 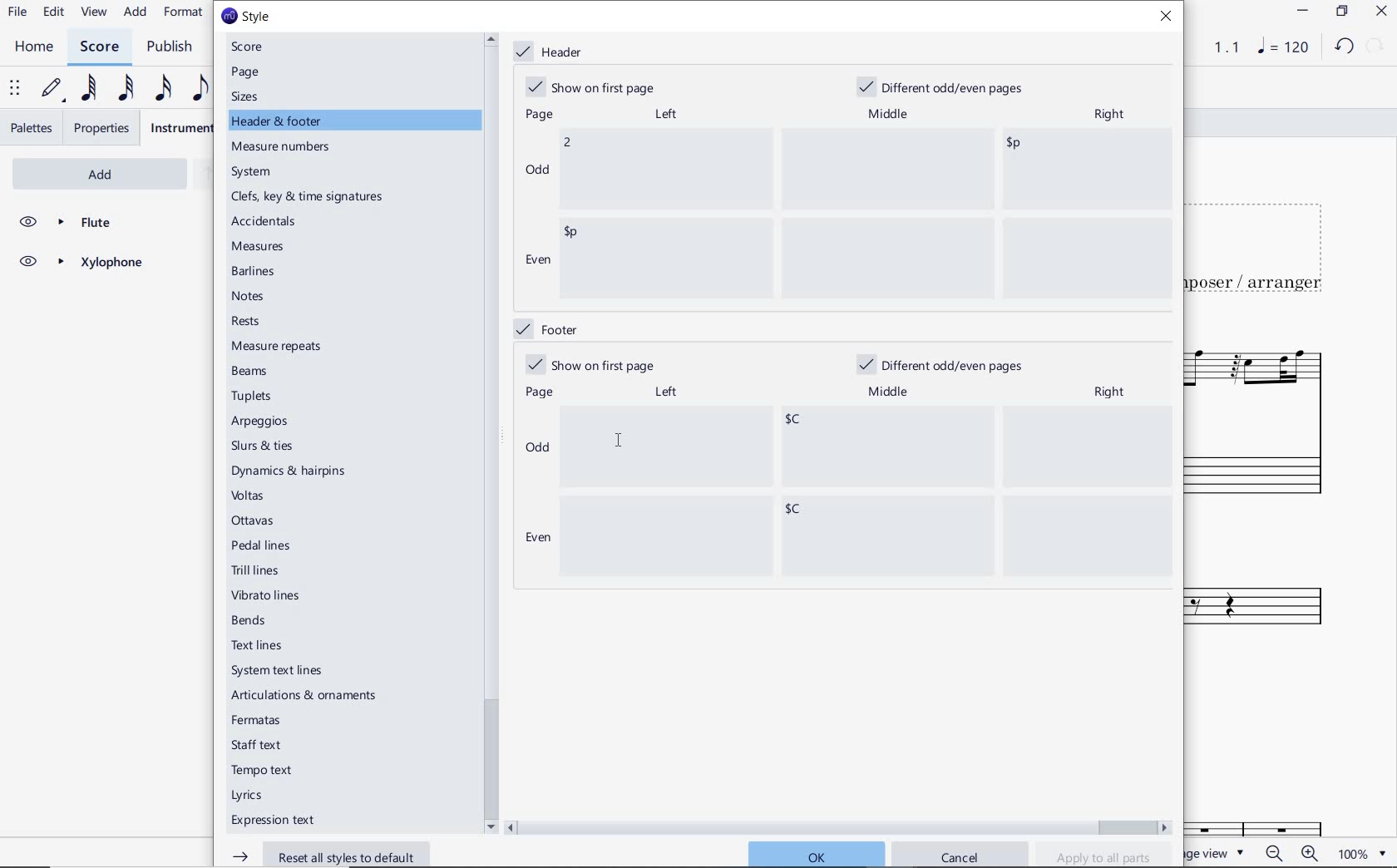 I want to click on right, so click(x=1113, y=392).